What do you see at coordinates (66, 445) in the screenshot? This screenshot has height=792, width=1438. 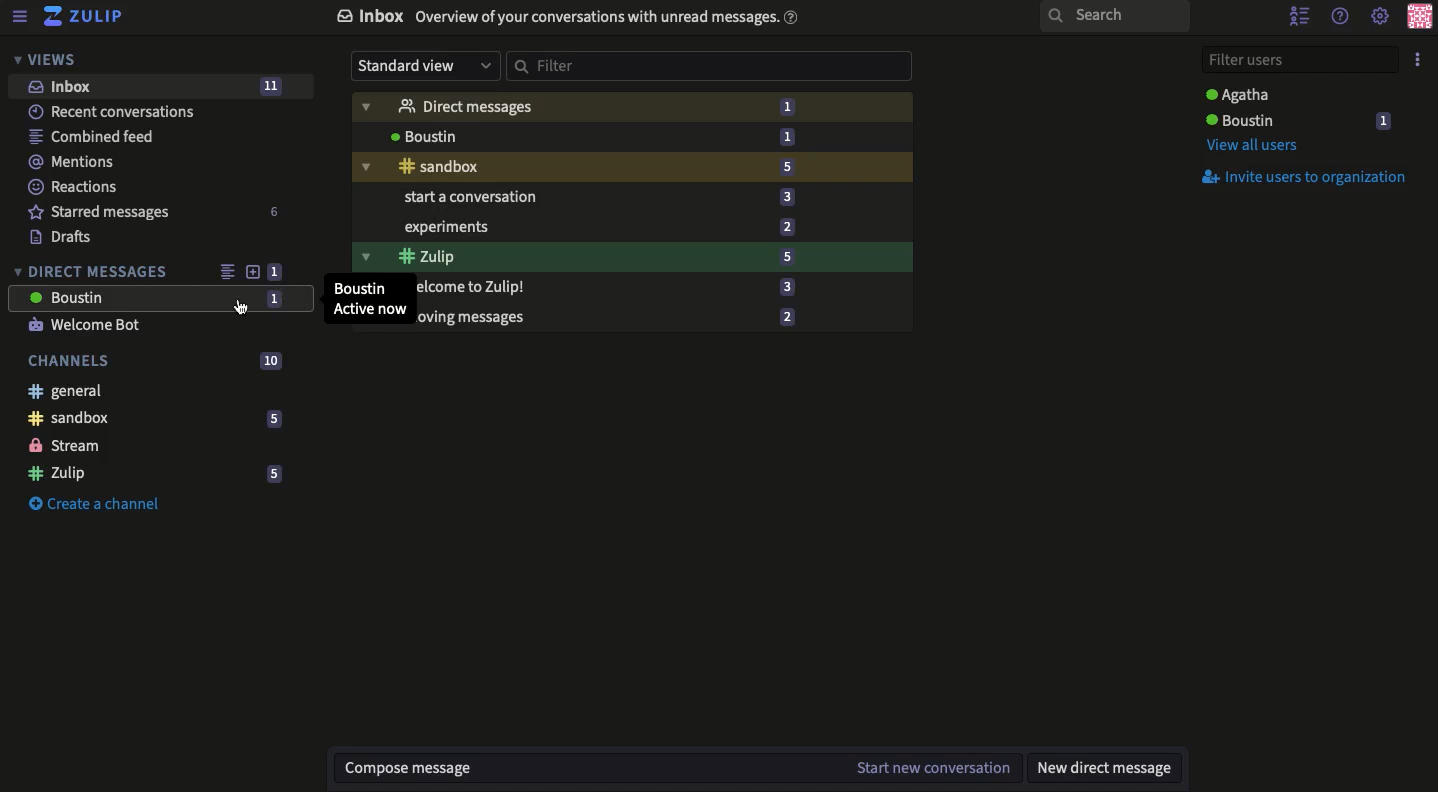 I see `Stream` at bounding box center [66, 445].